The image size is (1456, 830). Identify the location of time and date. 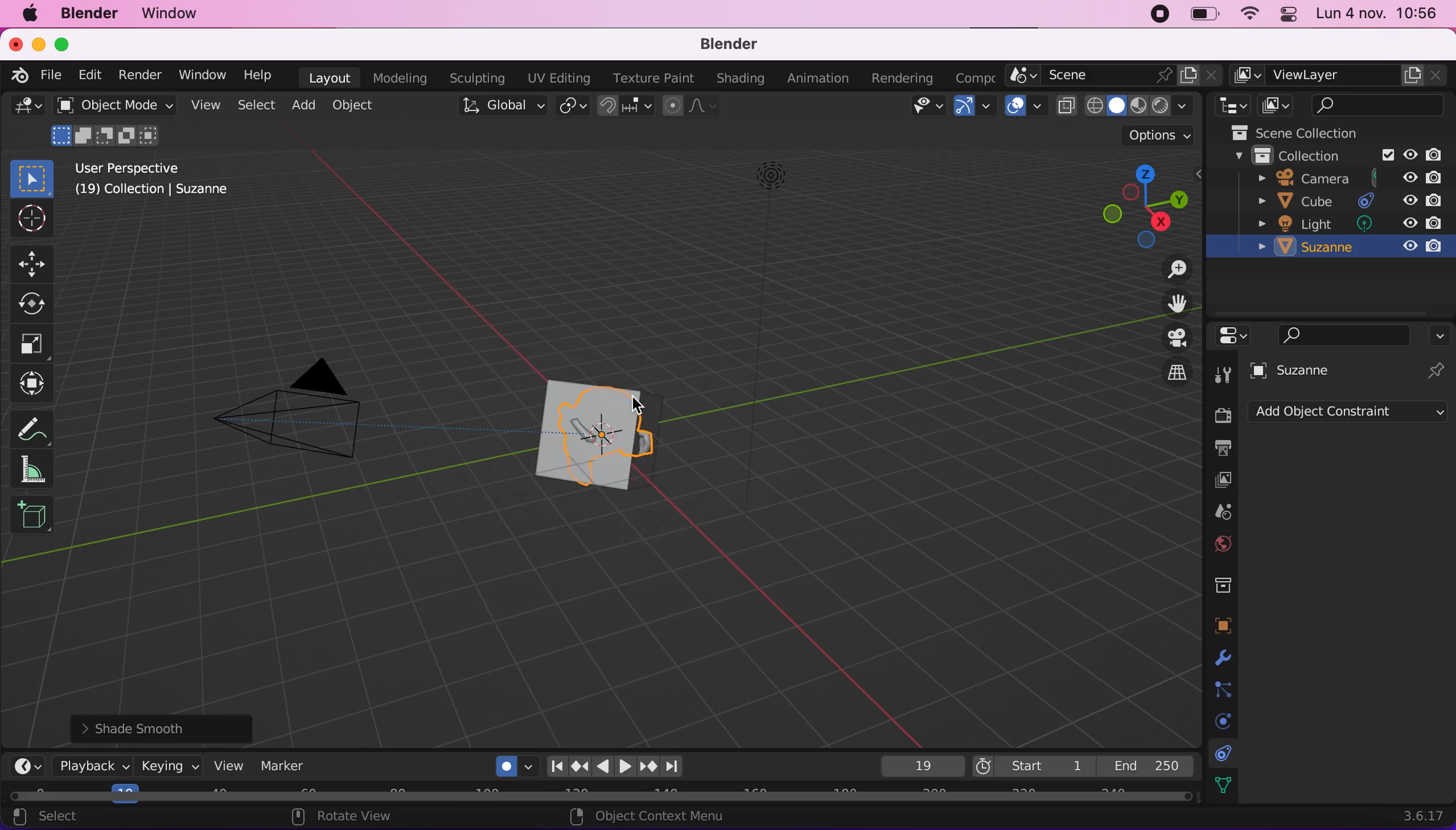
(1377, 15).